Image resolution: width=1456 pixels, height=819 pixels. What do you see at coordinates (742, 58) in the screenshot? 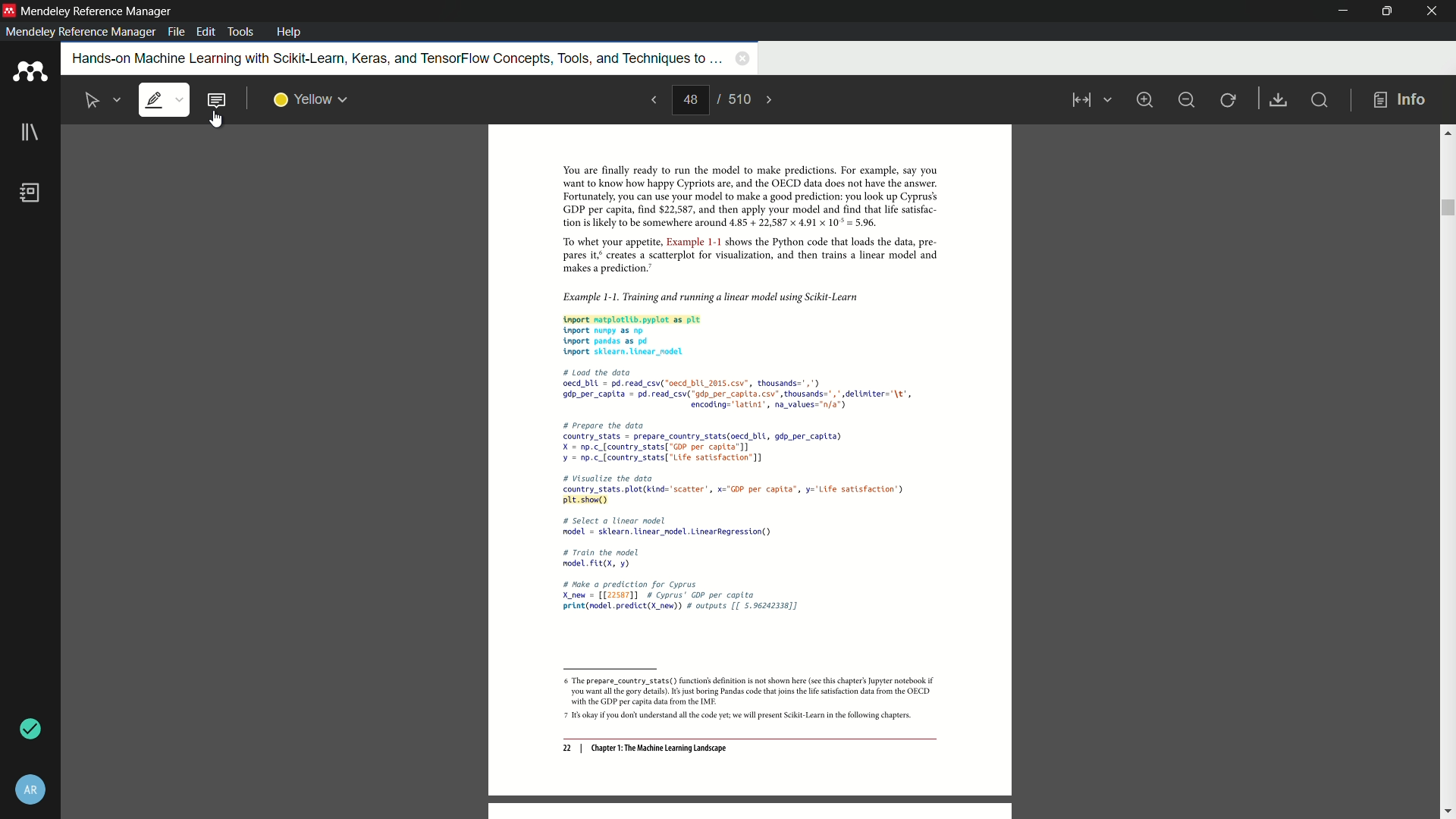
I see `close book` at bounding box center [742, 58].